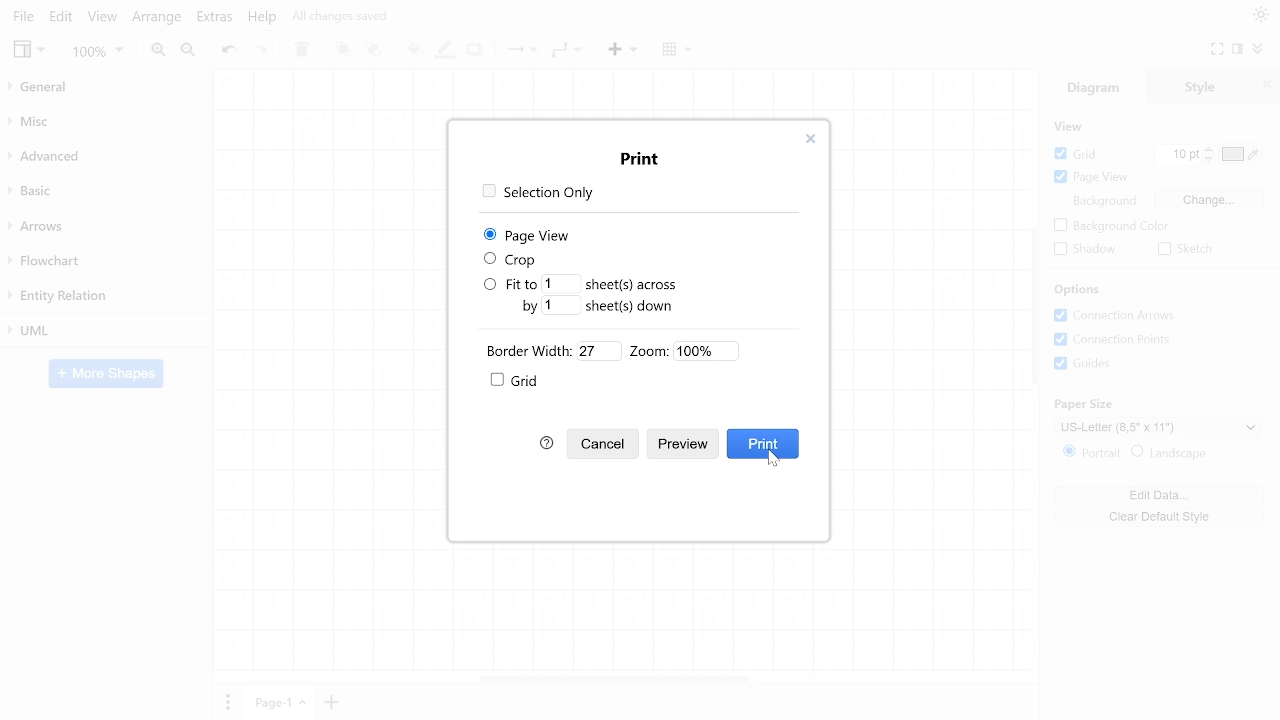 Image resolution: width=1280 pixels, height=720 pixels. What do you see at coordinates (1112, 227) in the screenshot?
I see `Background color` at bounding box center [1112, 227].